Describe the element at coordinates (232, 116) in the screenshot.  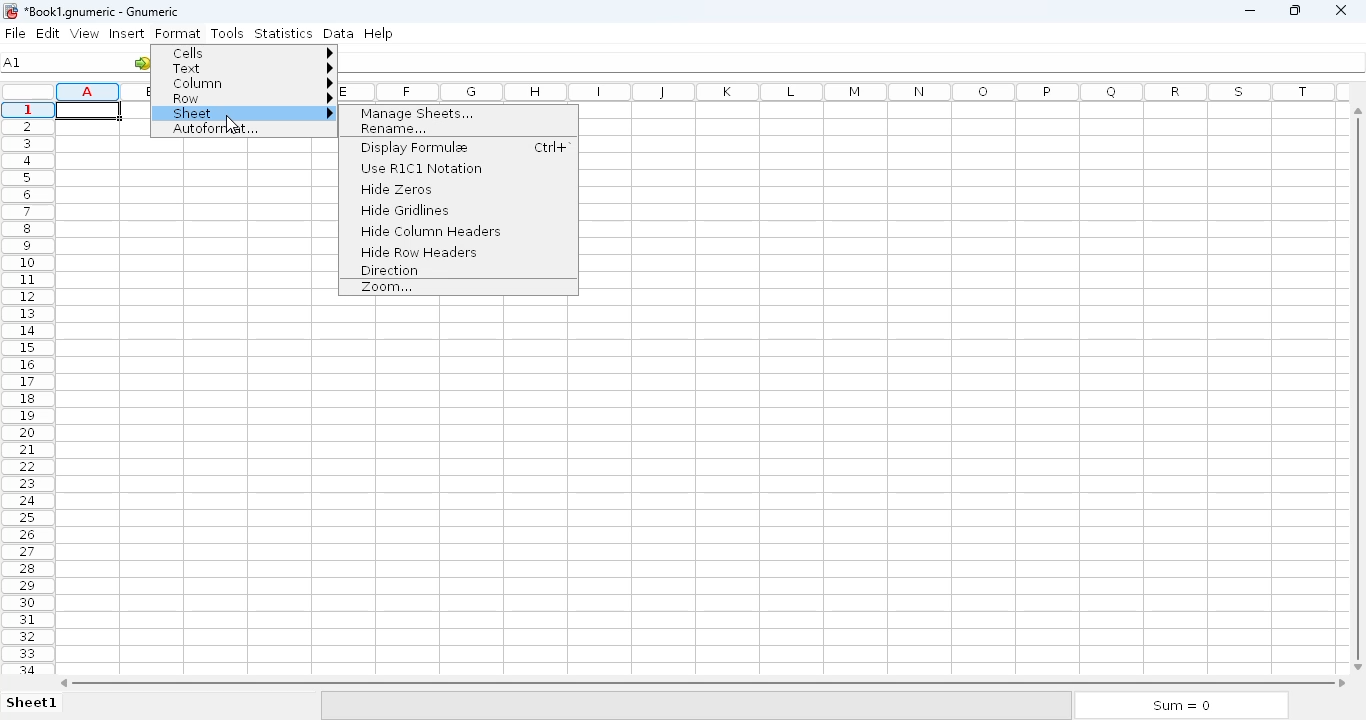
I see `cursor` at that location.